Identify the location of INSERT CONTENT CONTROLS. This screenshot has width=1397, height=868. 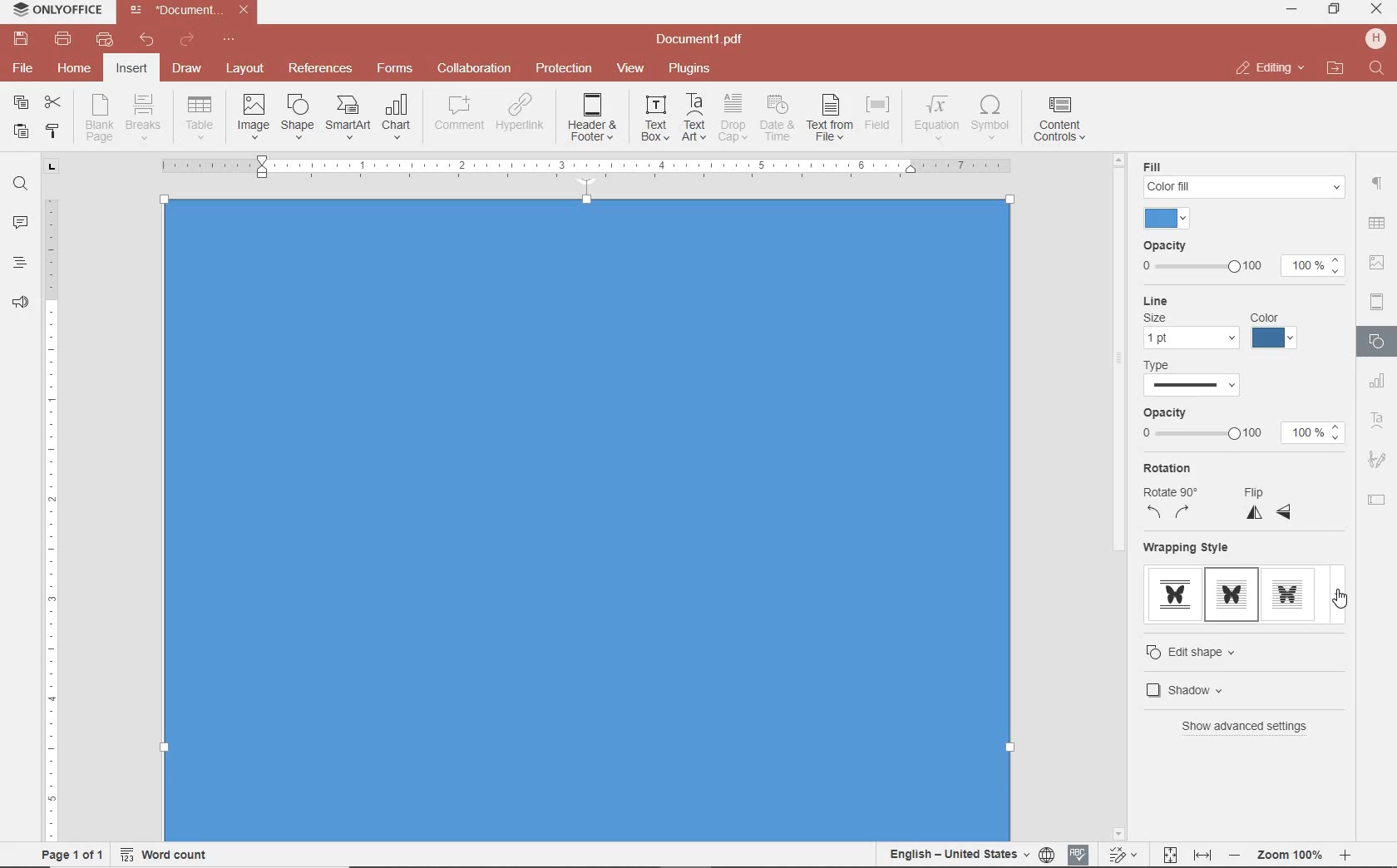
(1059, 120).